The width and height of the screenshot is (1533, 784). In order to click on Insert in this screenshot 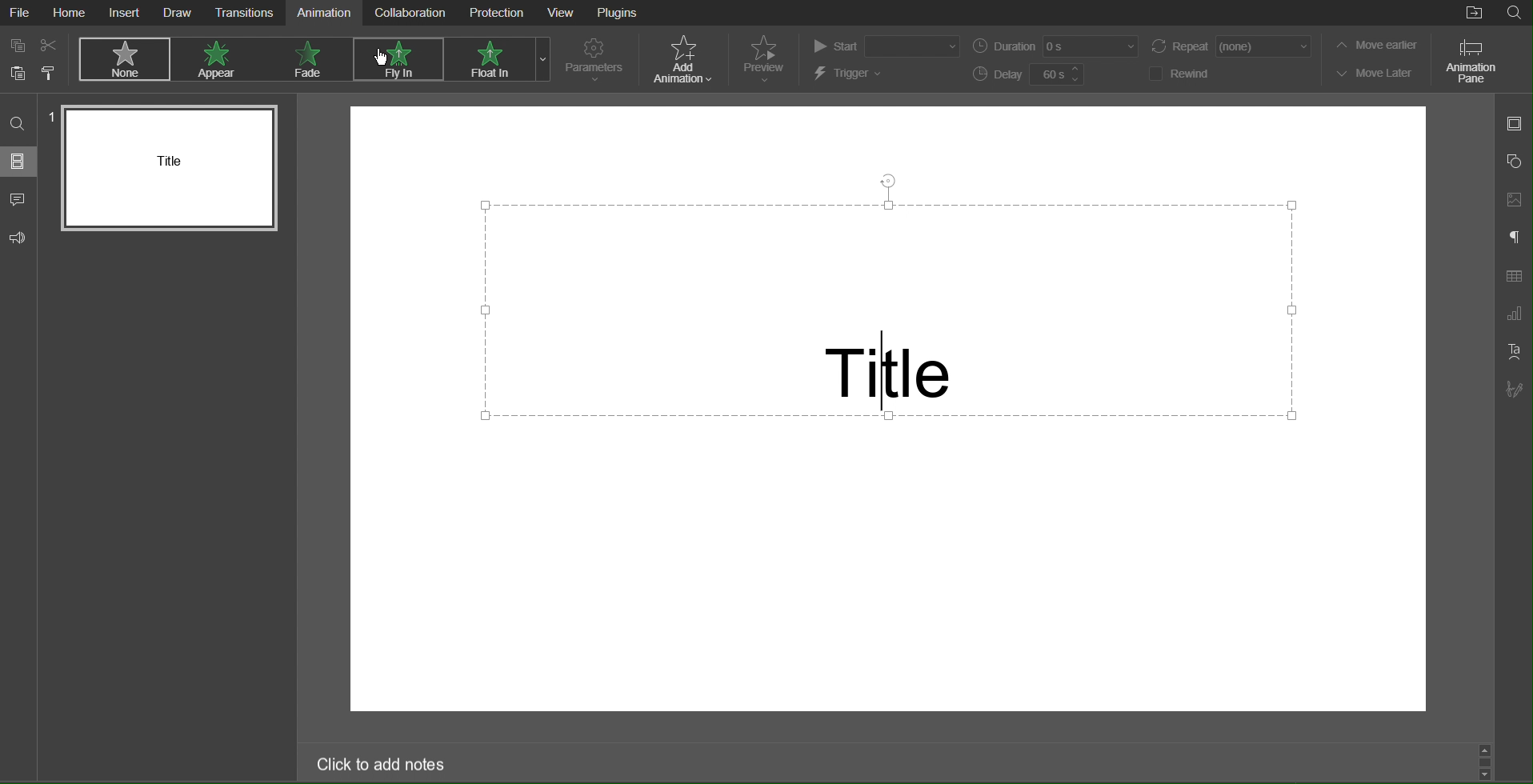, I will do `click(127, 14)`.